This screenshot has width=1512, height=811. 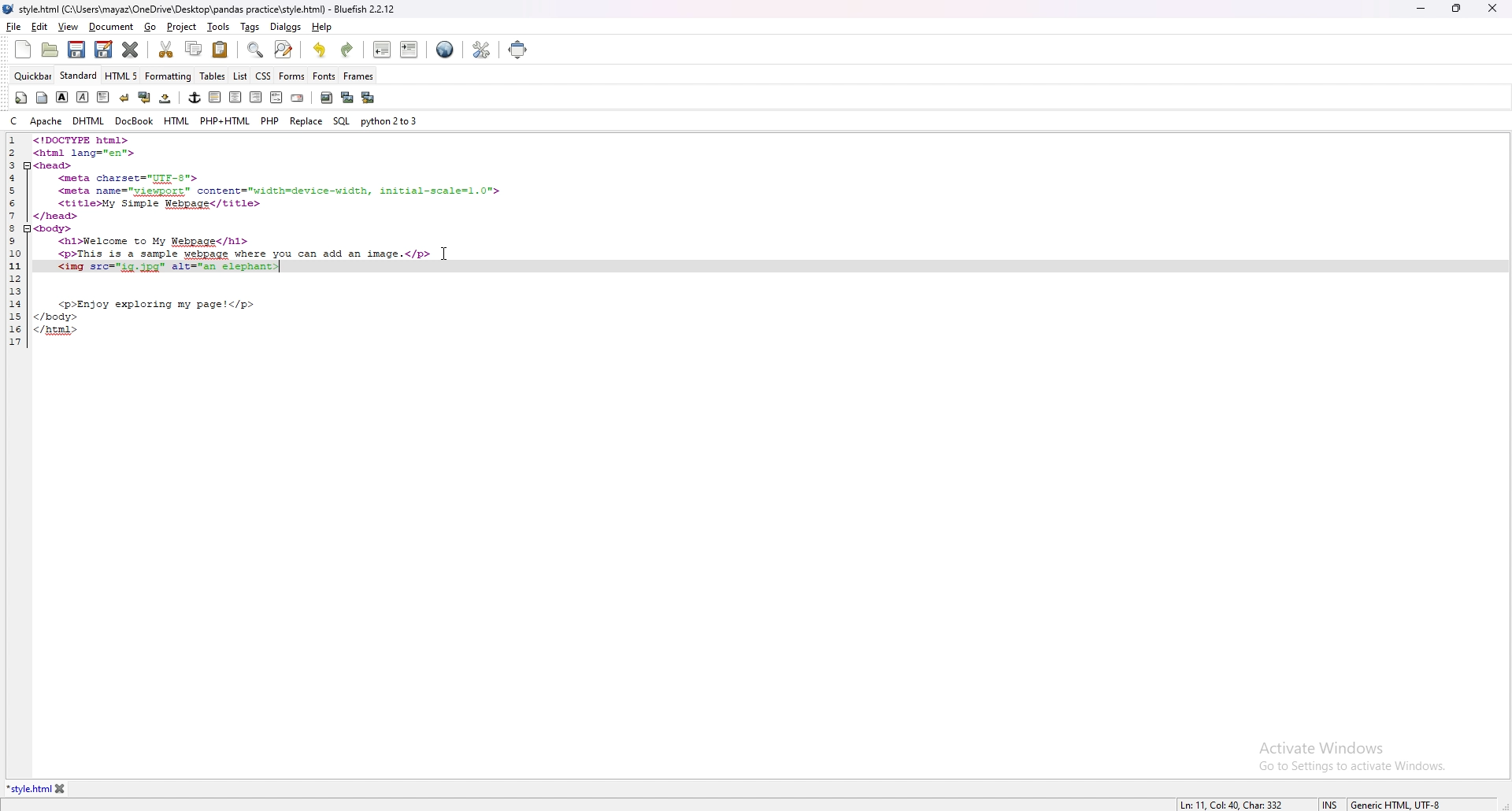 What do you see at coordinates (235, 97) in the screenshot?
I see `center` at bounding box center [235, 97].